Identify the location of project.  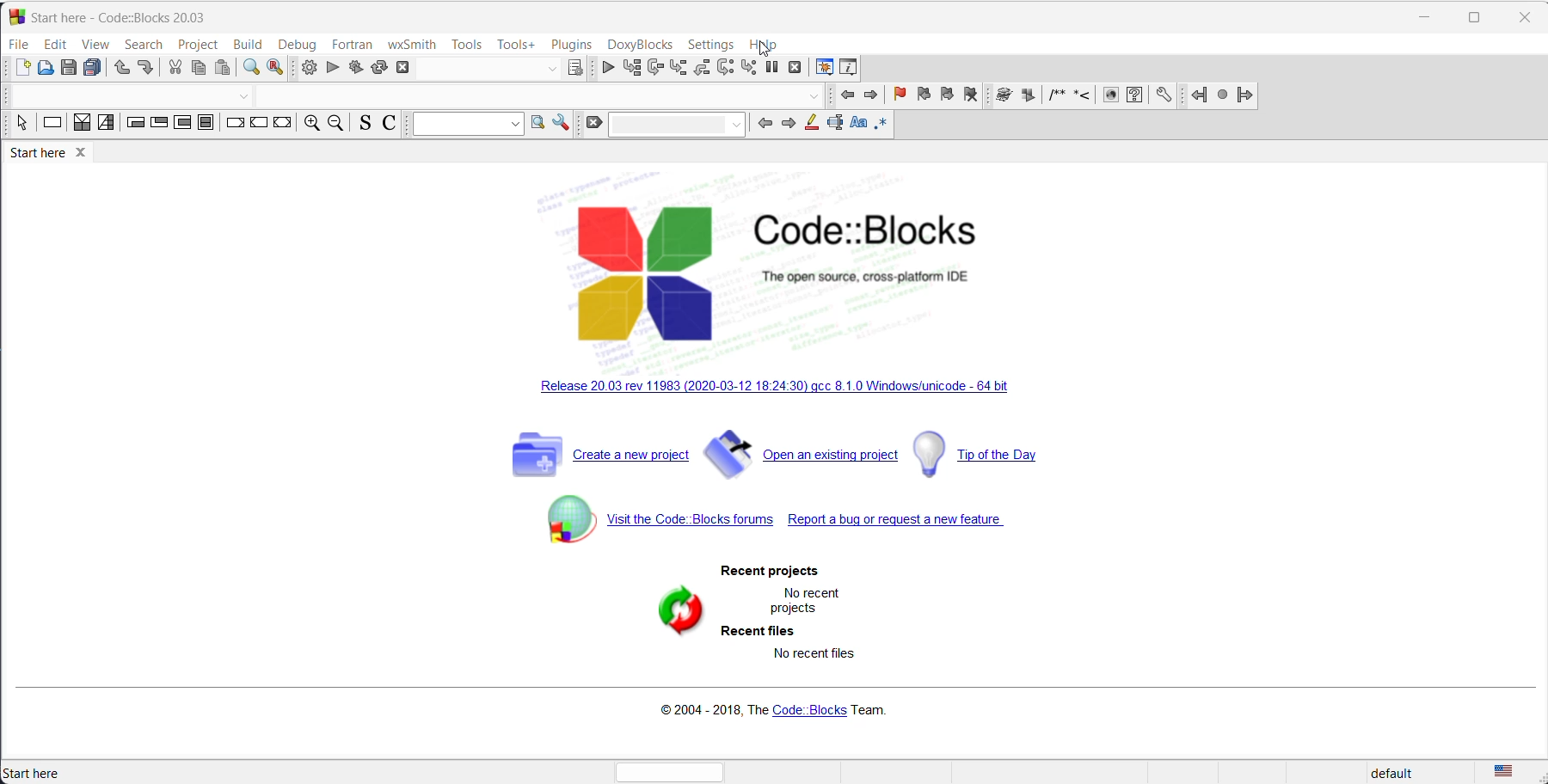
(199, 44).